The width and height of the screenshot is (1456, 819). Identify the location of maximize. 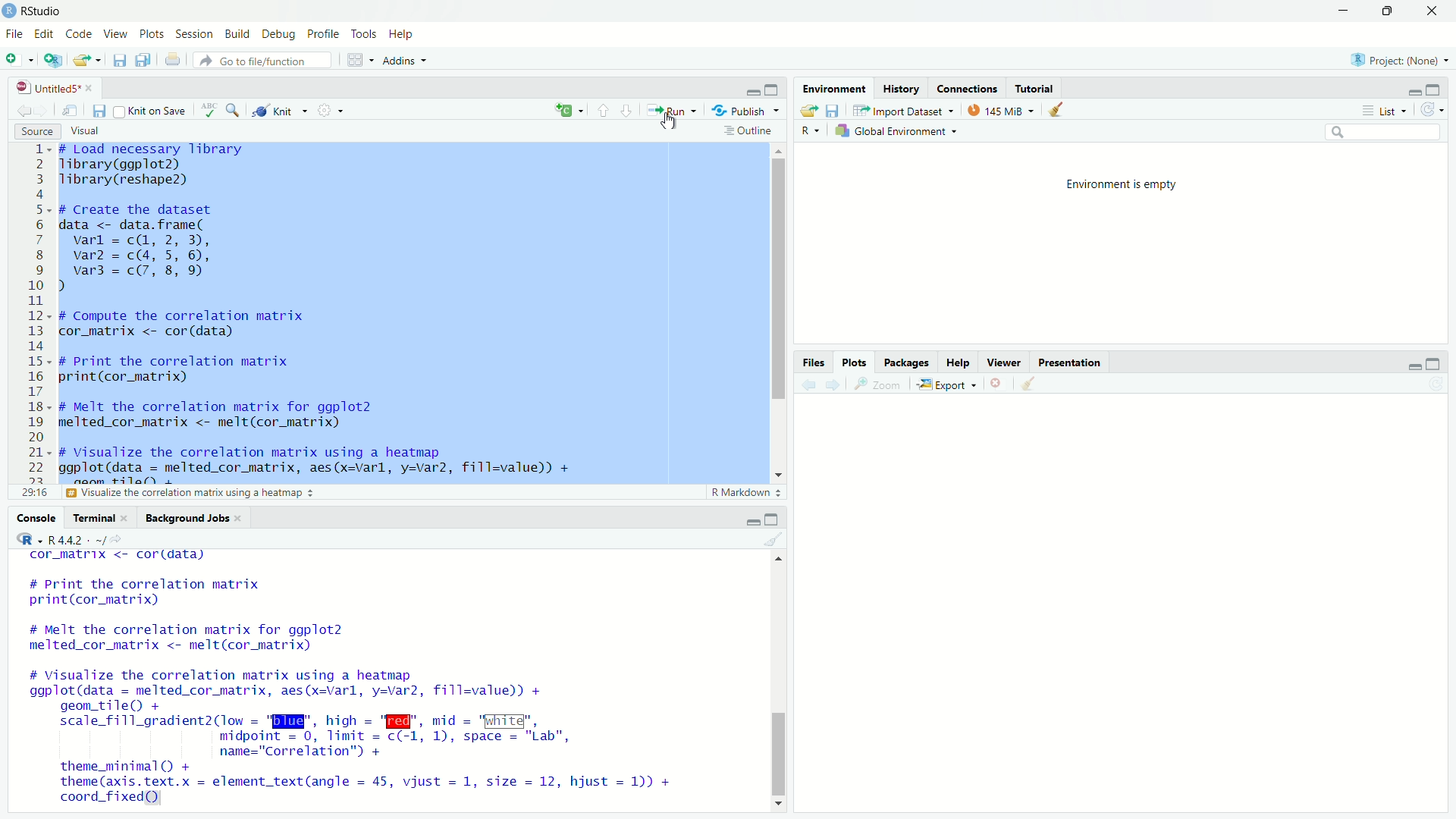
(773, 519).